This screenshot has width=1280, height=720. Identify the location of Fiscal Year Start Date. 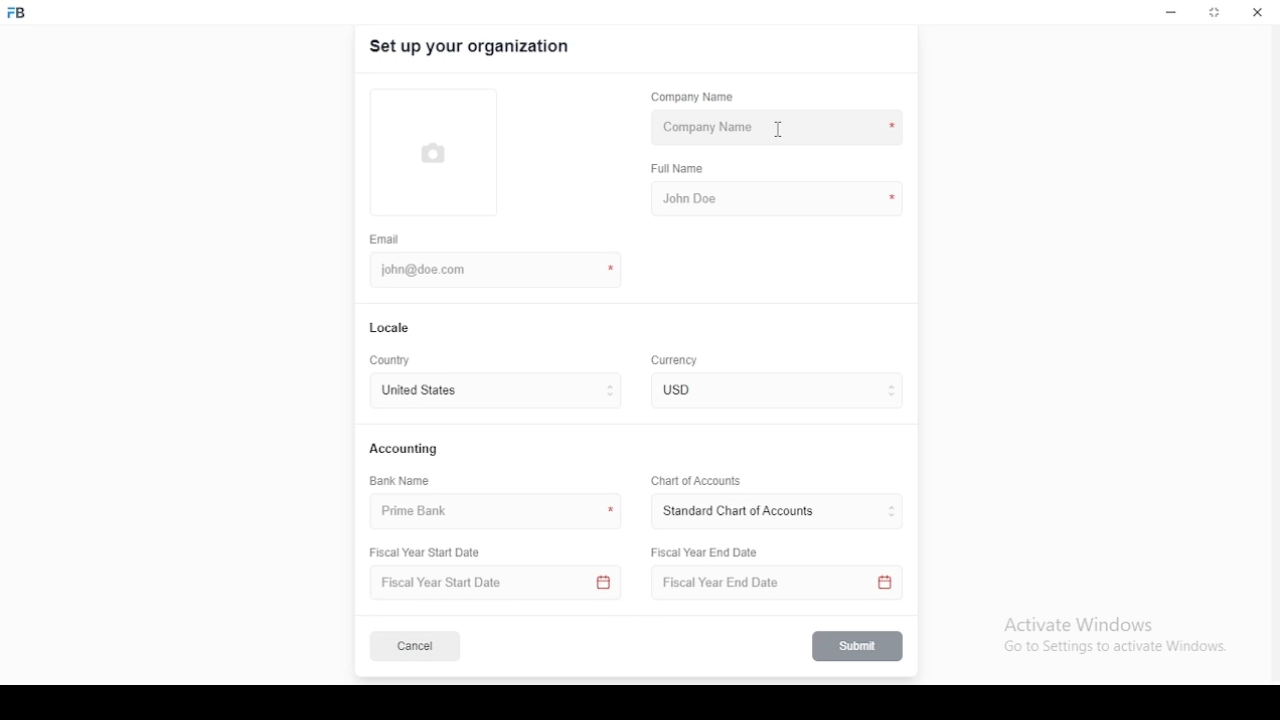
(498, 583).